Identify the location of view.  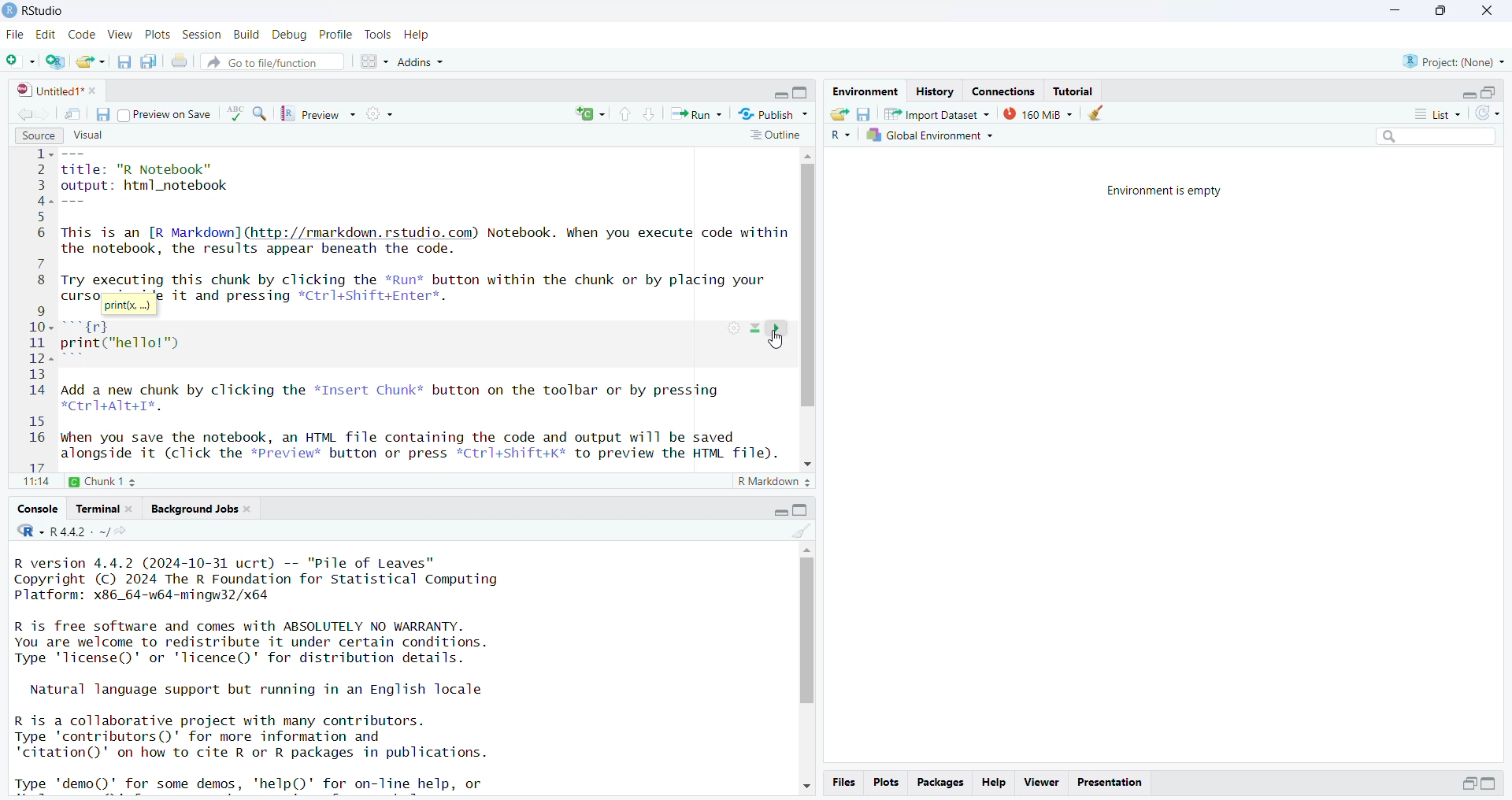
(120, 35).